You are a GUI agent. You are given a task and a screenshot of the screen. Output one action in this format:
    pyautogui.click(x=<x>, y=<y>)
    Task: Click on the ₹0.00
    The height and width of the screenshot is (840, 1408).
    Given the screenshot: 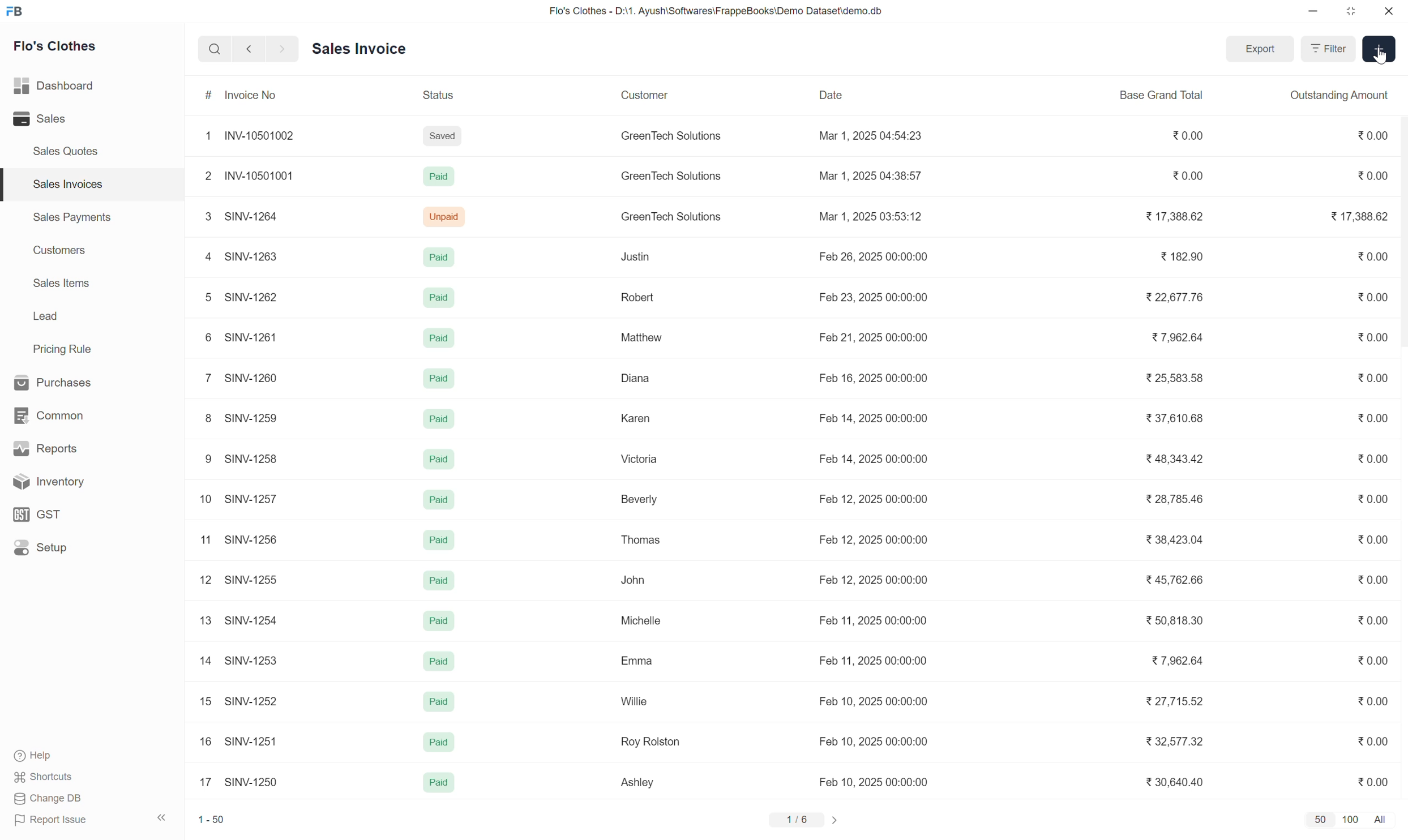 What is the action you would take?
    pyautogui.click(x=1366, y=177)
    